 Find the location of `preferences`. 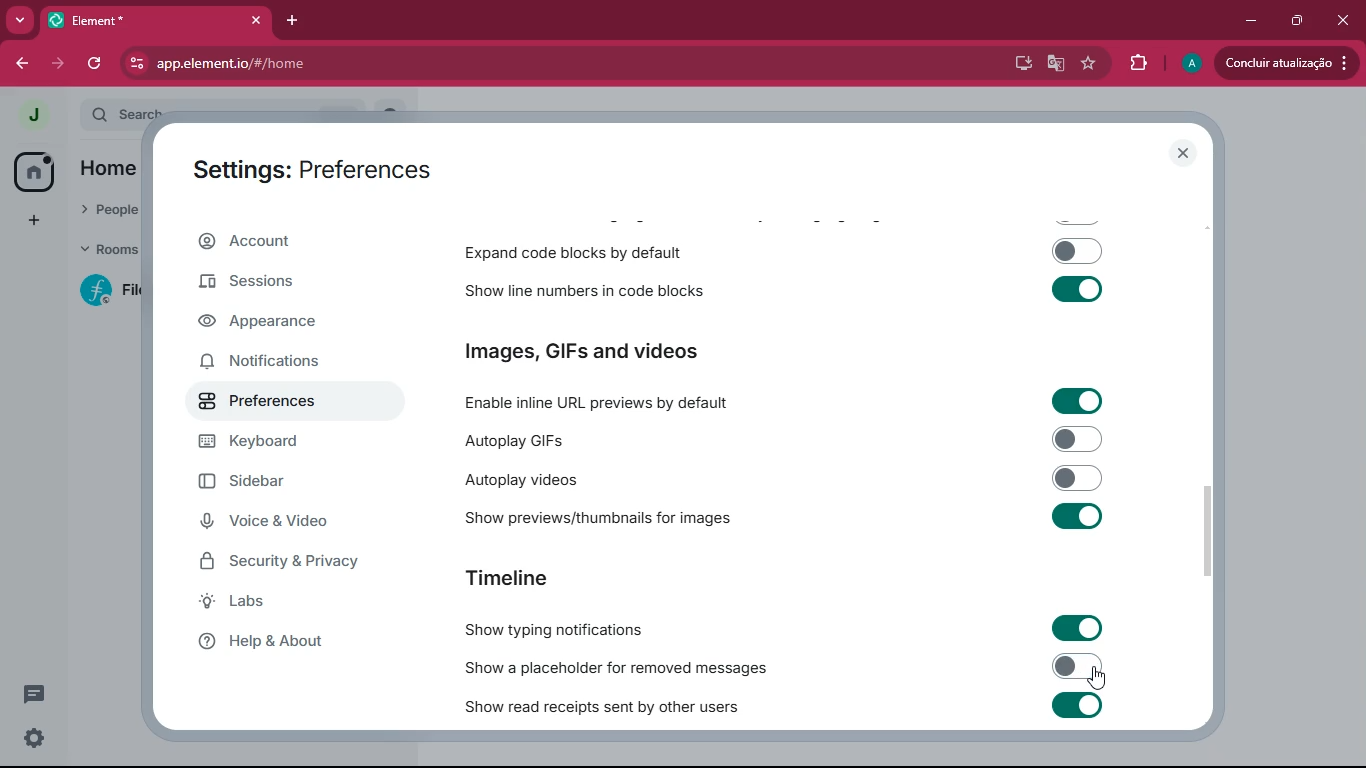

preferences is located at coordinates (276, 403).